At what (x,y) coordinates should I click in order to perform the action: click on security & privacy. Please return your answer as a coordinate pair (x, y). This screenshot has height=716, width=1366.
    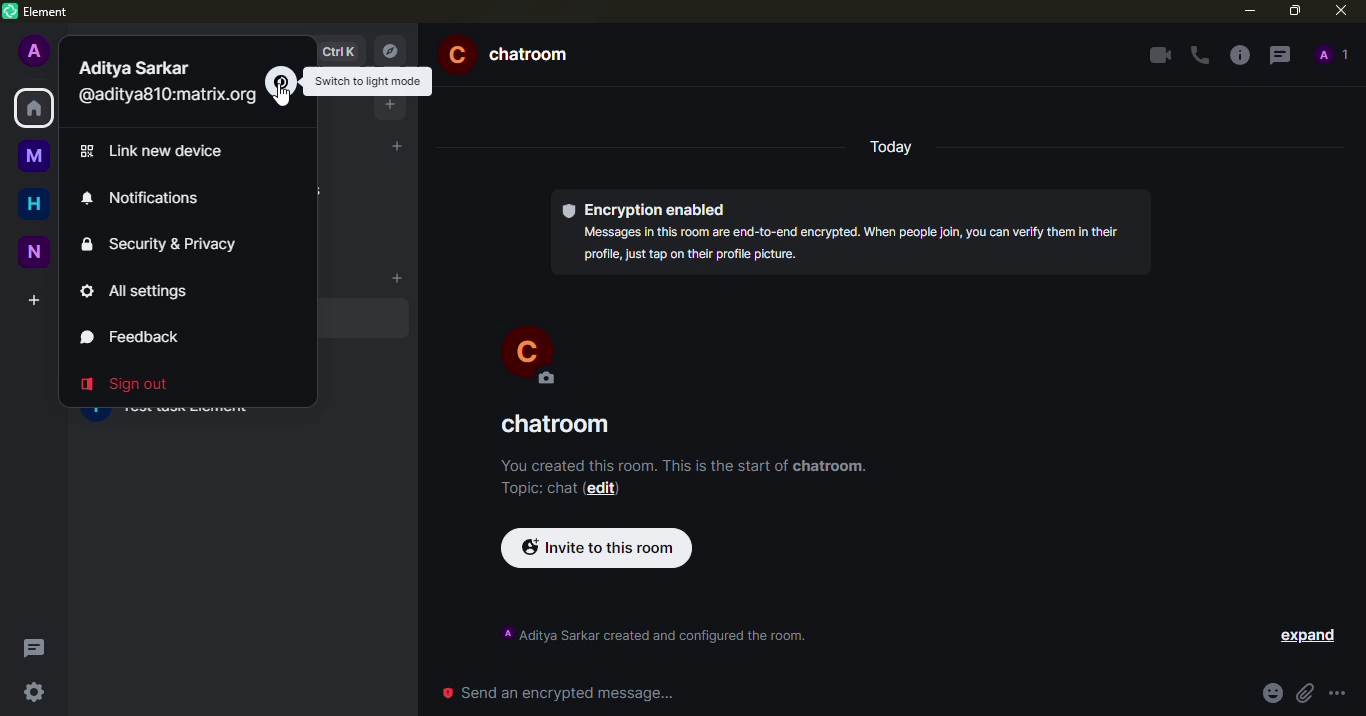
    Looking at the image, I should click on (163, 244).